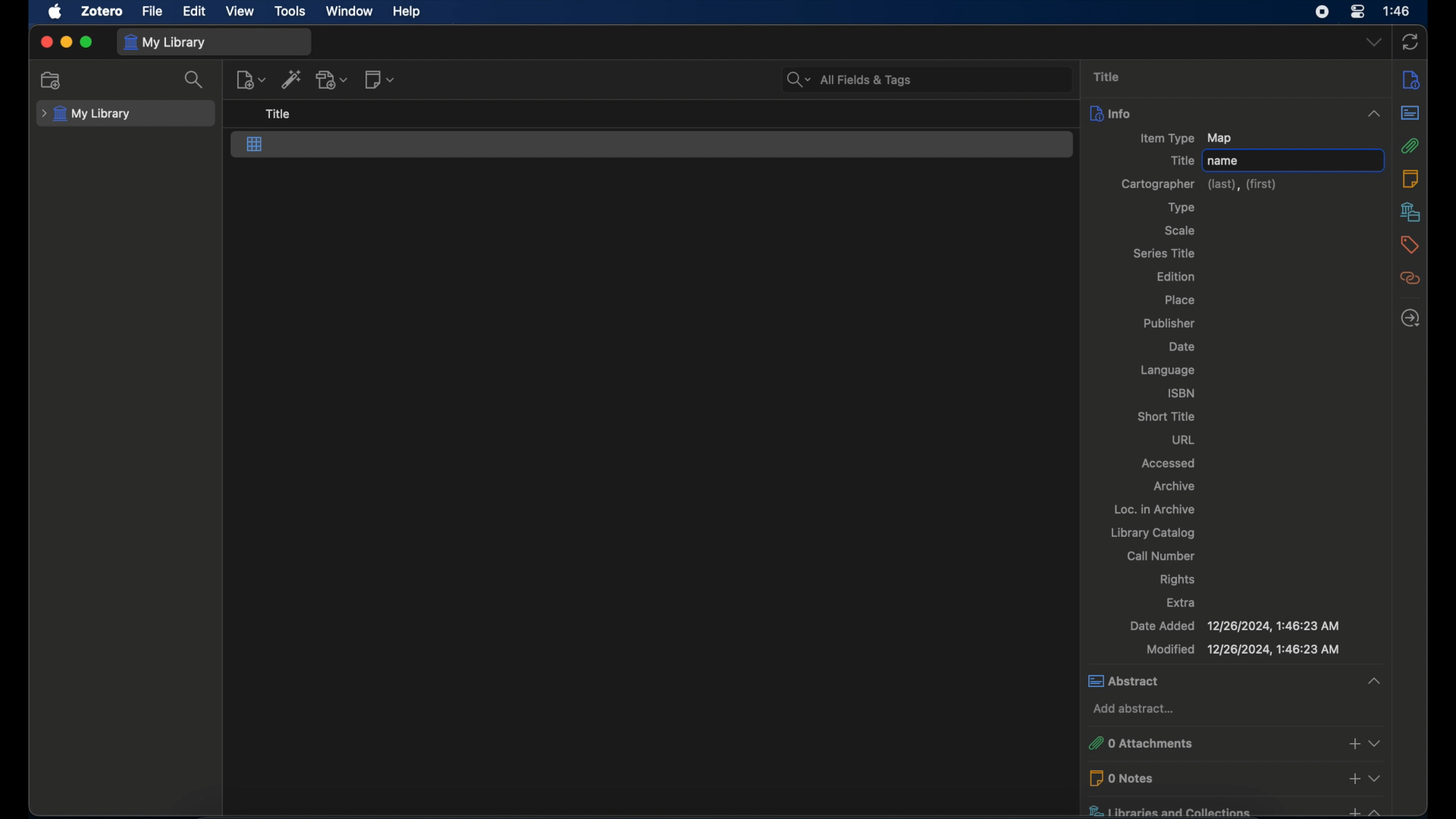 Image resolution: width=1456 pixels, height=819 pixels. What do you see at coordinates (251, 80) in the screenshot?
I see `new item` at bounding box center [251, 80].